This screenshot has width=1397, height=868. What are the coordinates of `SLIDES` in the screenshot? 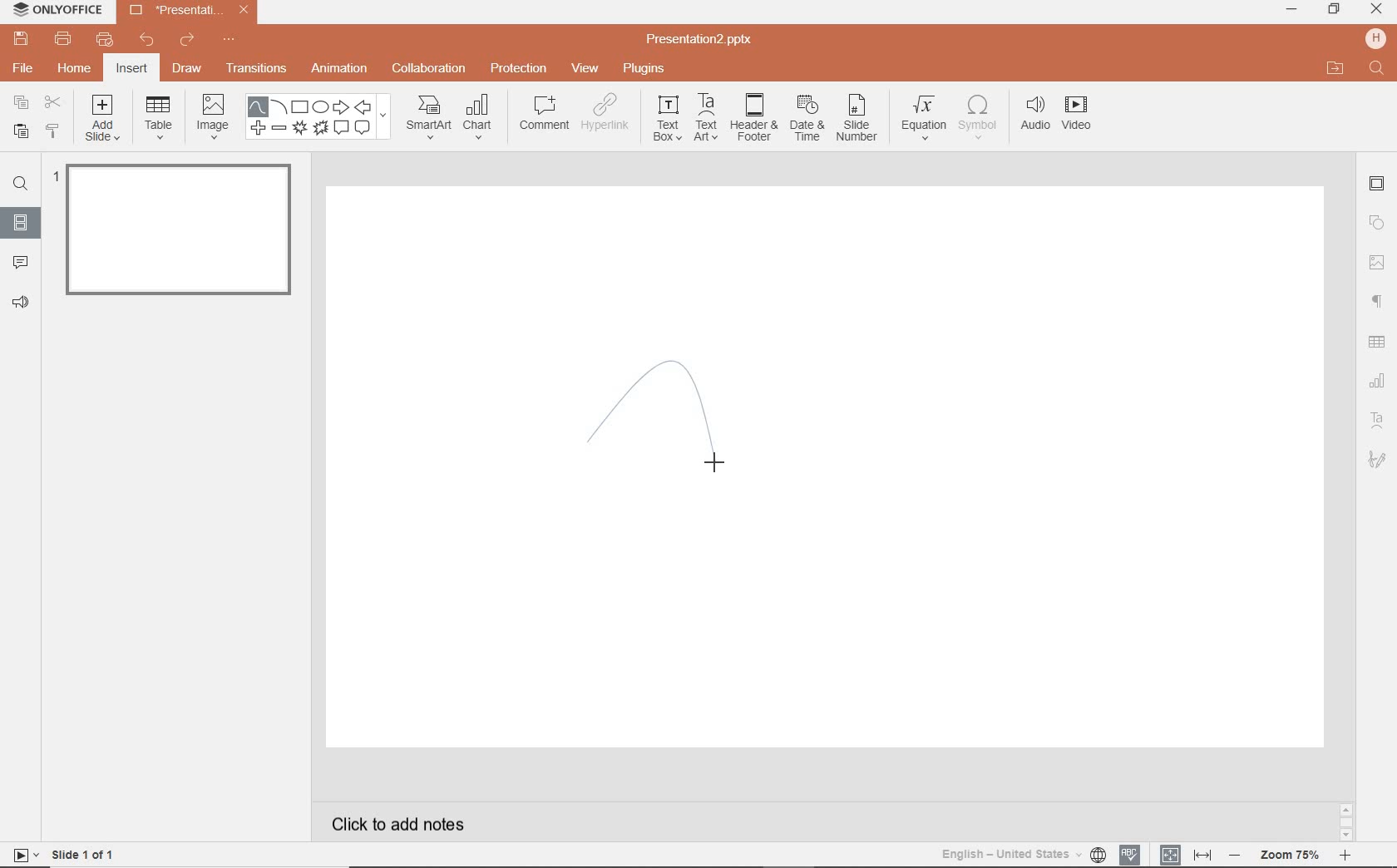 It's located at (20, 222).